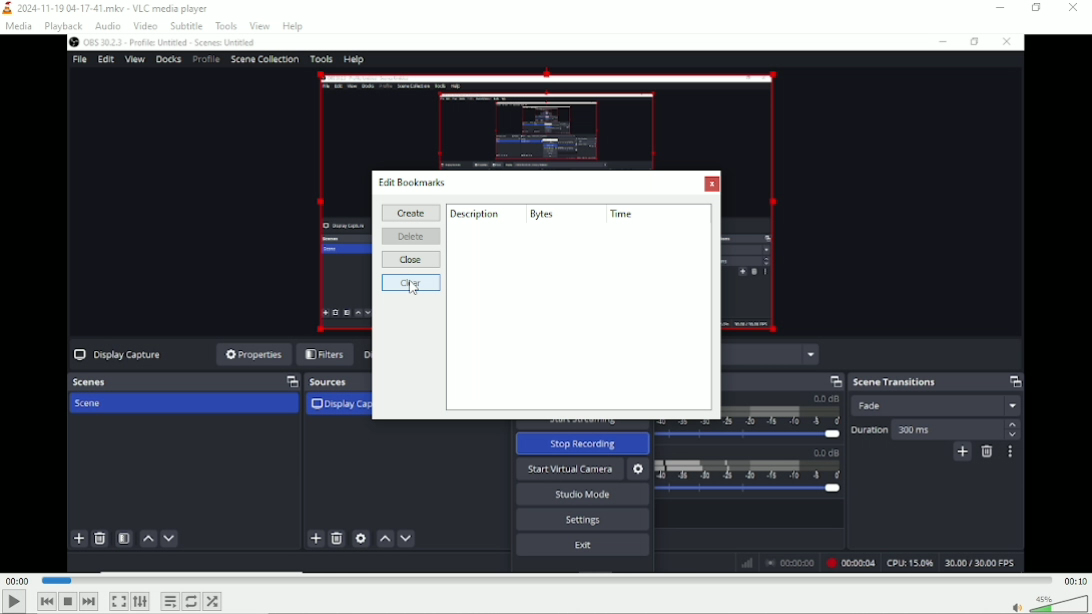 The image size is (1092, 614). Describe the element at coordinates (410, 213) in the screenshot. I see `Create` at that location.